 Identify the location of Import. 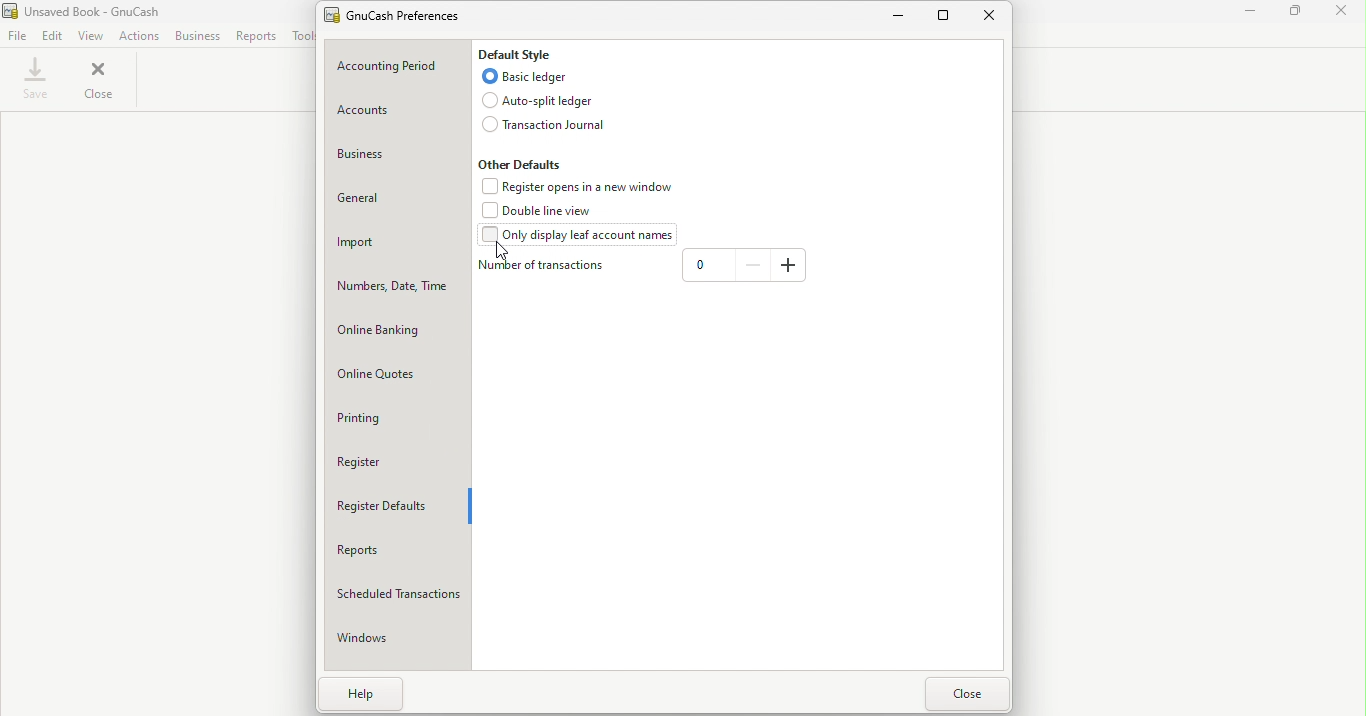
(396, 241).